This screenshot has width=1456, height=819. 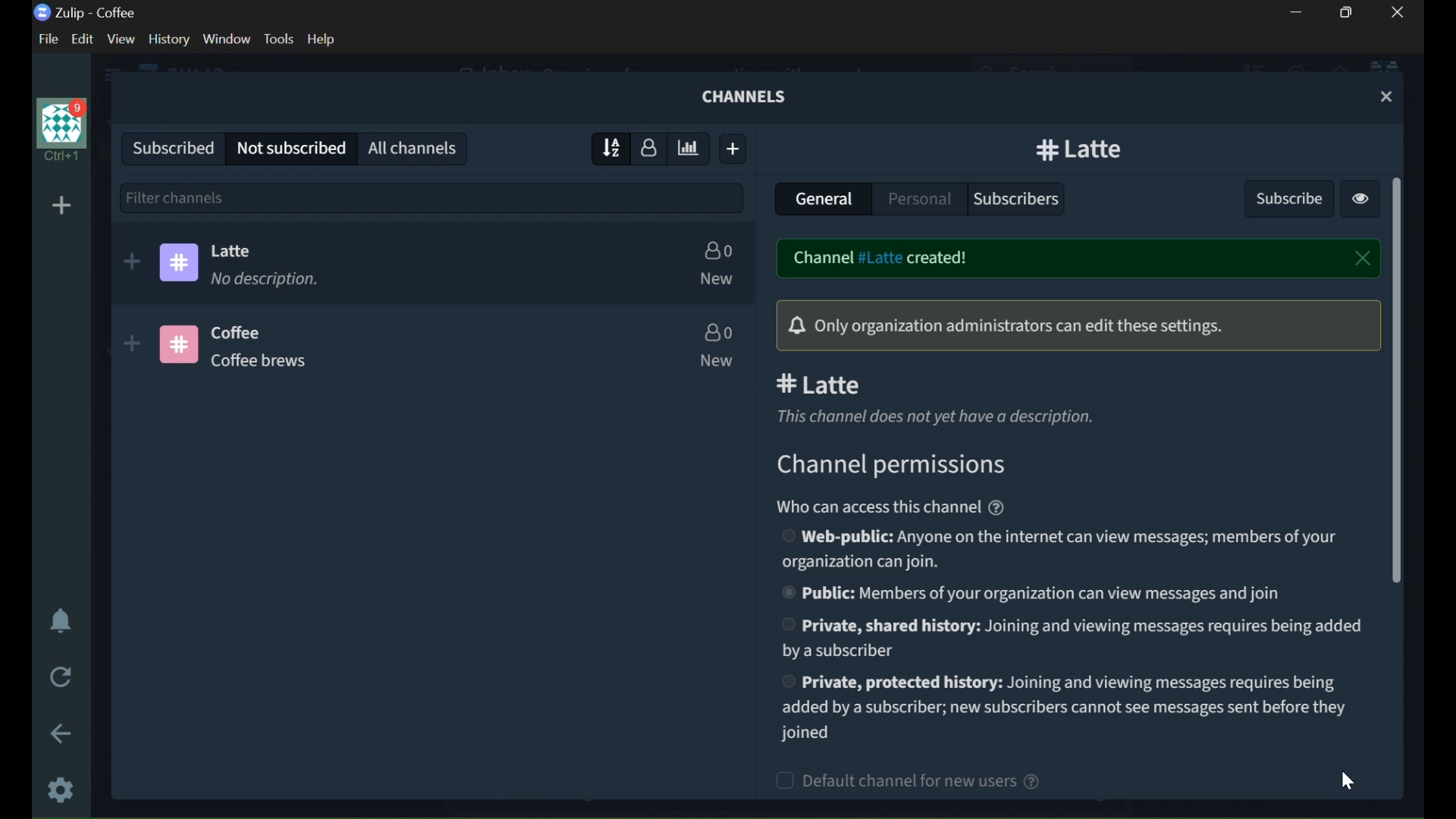 What do you see at coordinates (1398, 12) in the screenshot?
I see `CLOSE` at bounding box center [1398, 12].